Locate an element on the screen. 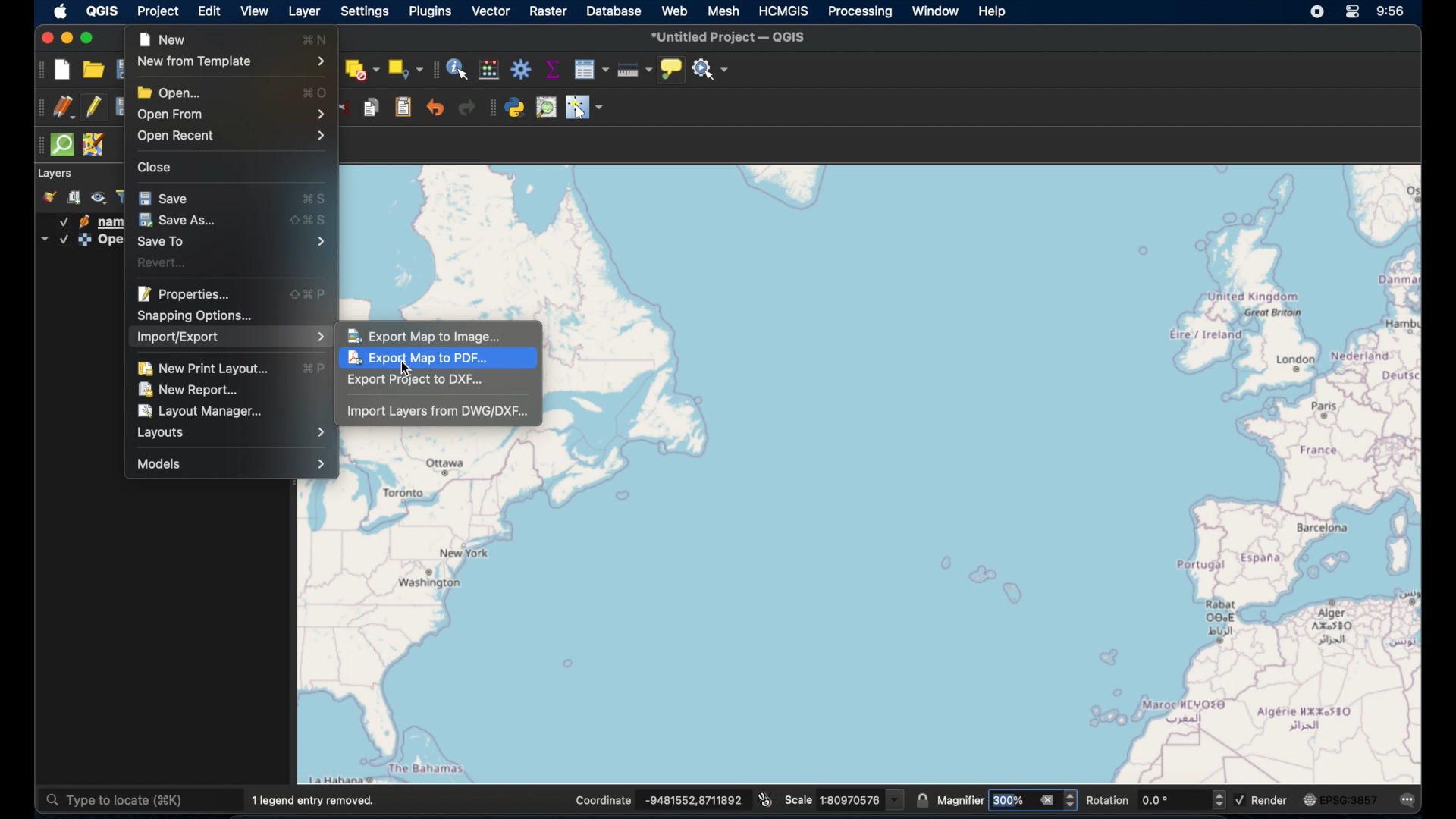 The height and width of the screenshot is (819, 1456). coordinates is located at coordinates (662, 801).